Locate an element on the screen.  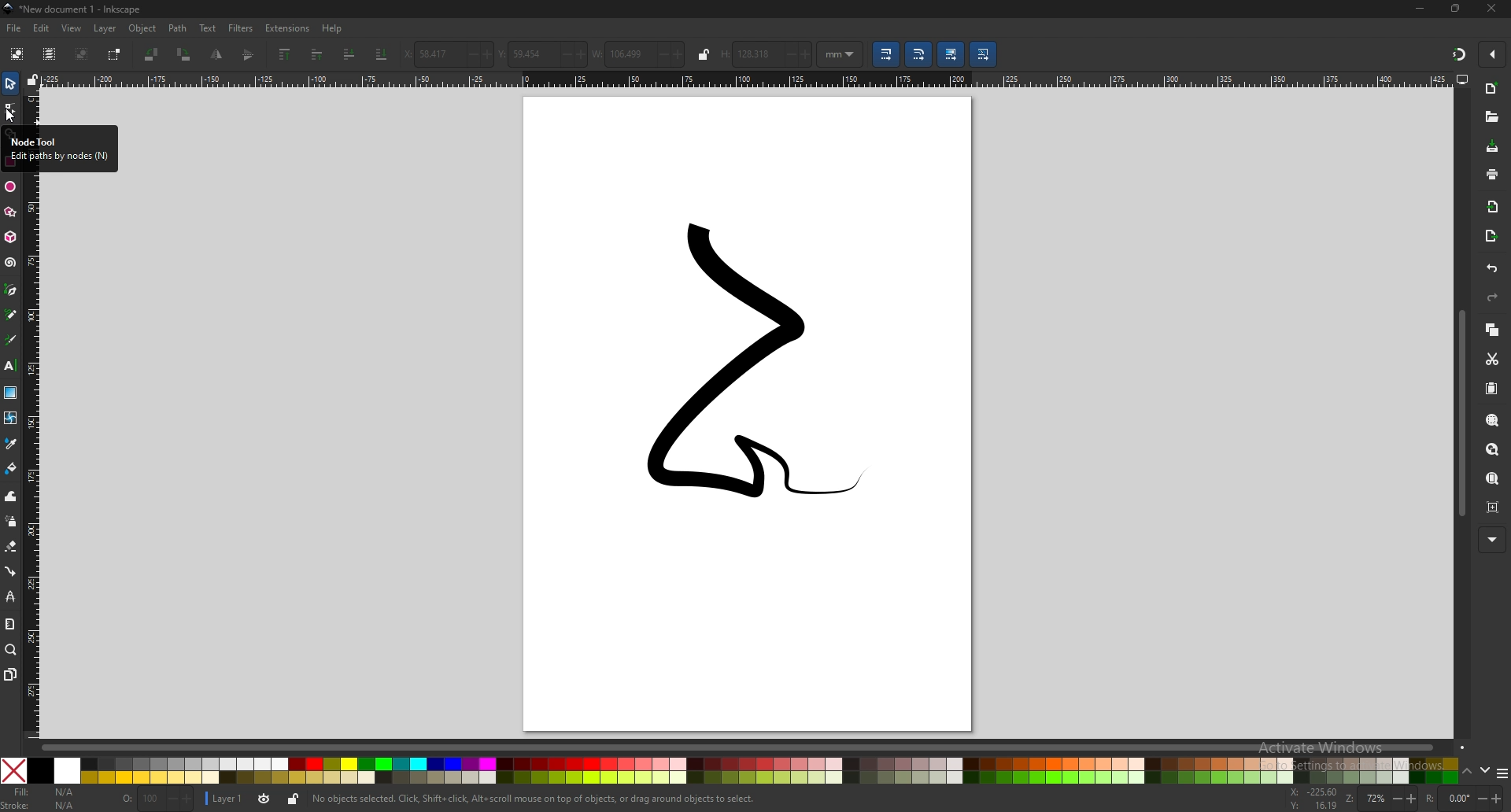
cut is located at coordinates (1491, 360).